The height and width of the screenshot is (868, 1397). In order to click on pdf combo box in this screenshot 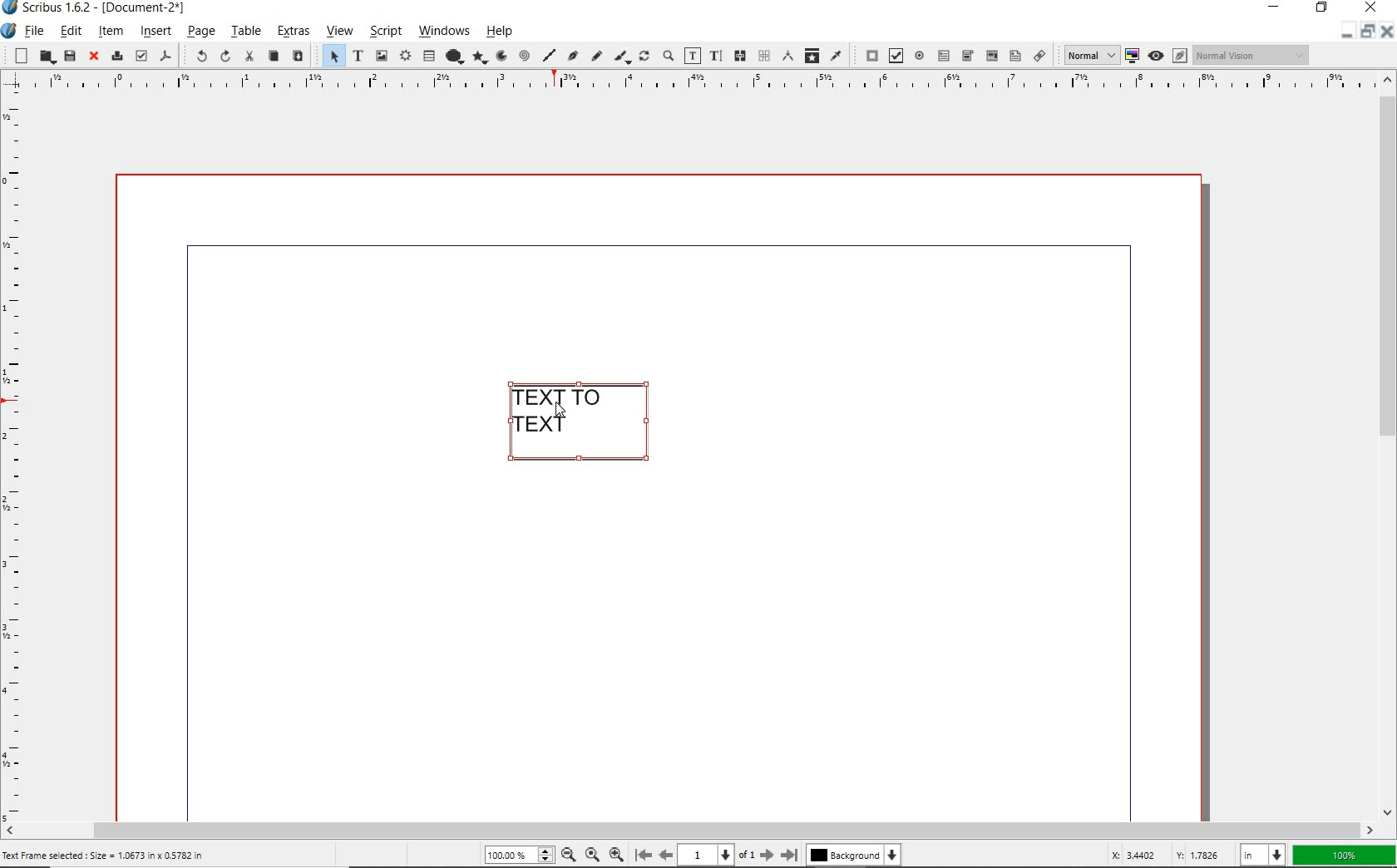, I will do `click(967, 55)`.